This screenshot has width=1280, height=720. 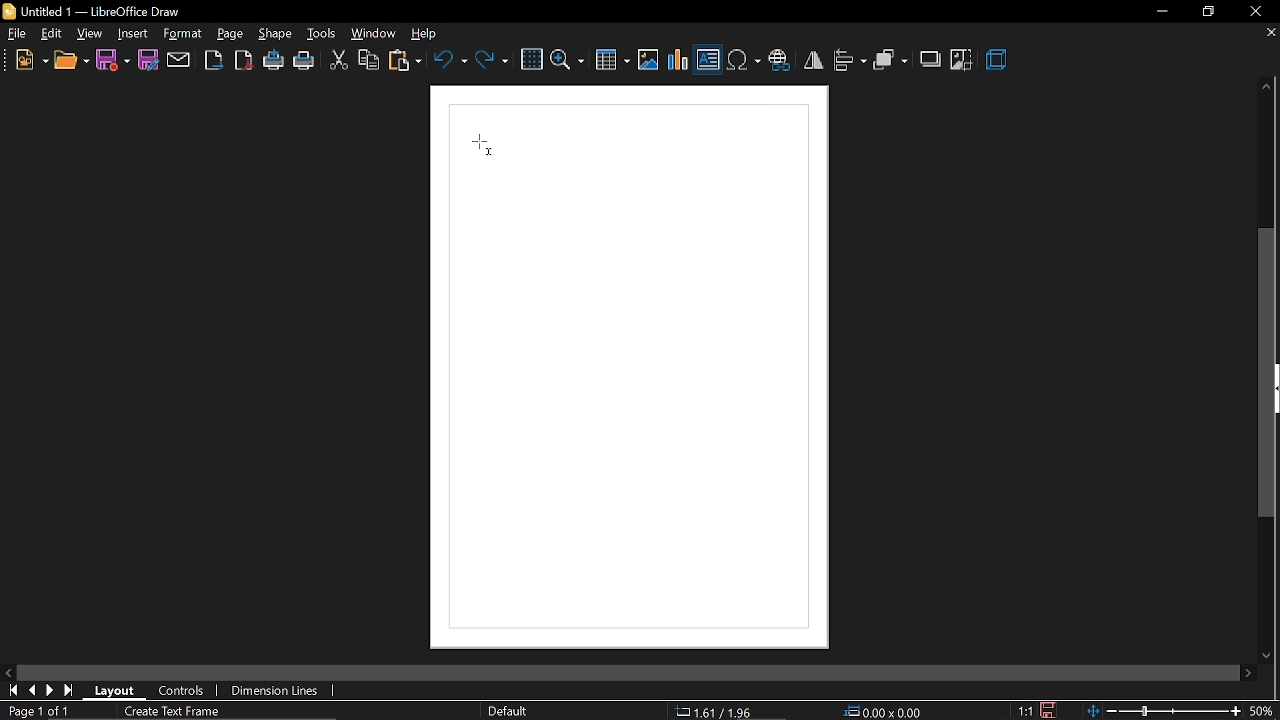 I want to click on go to first page, so click(x=14, y=691).